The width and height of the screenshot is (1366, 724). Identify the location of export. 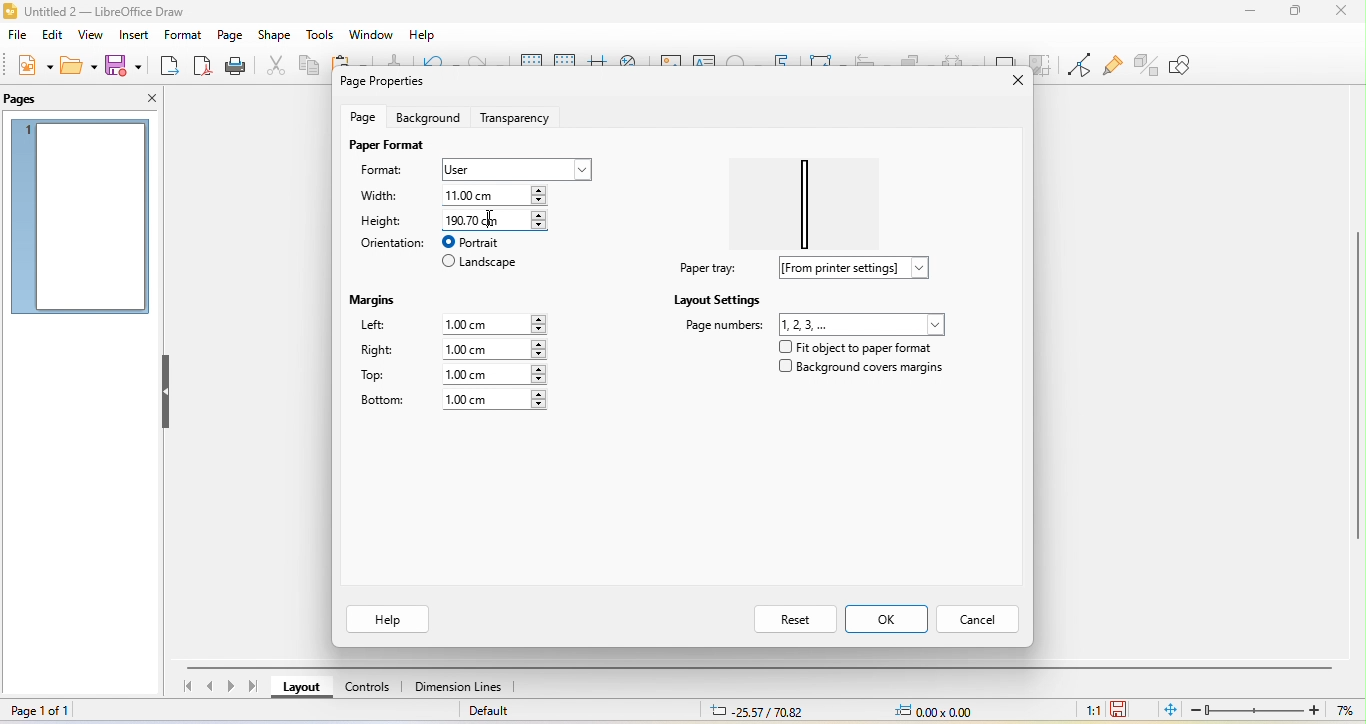
(170, 67).